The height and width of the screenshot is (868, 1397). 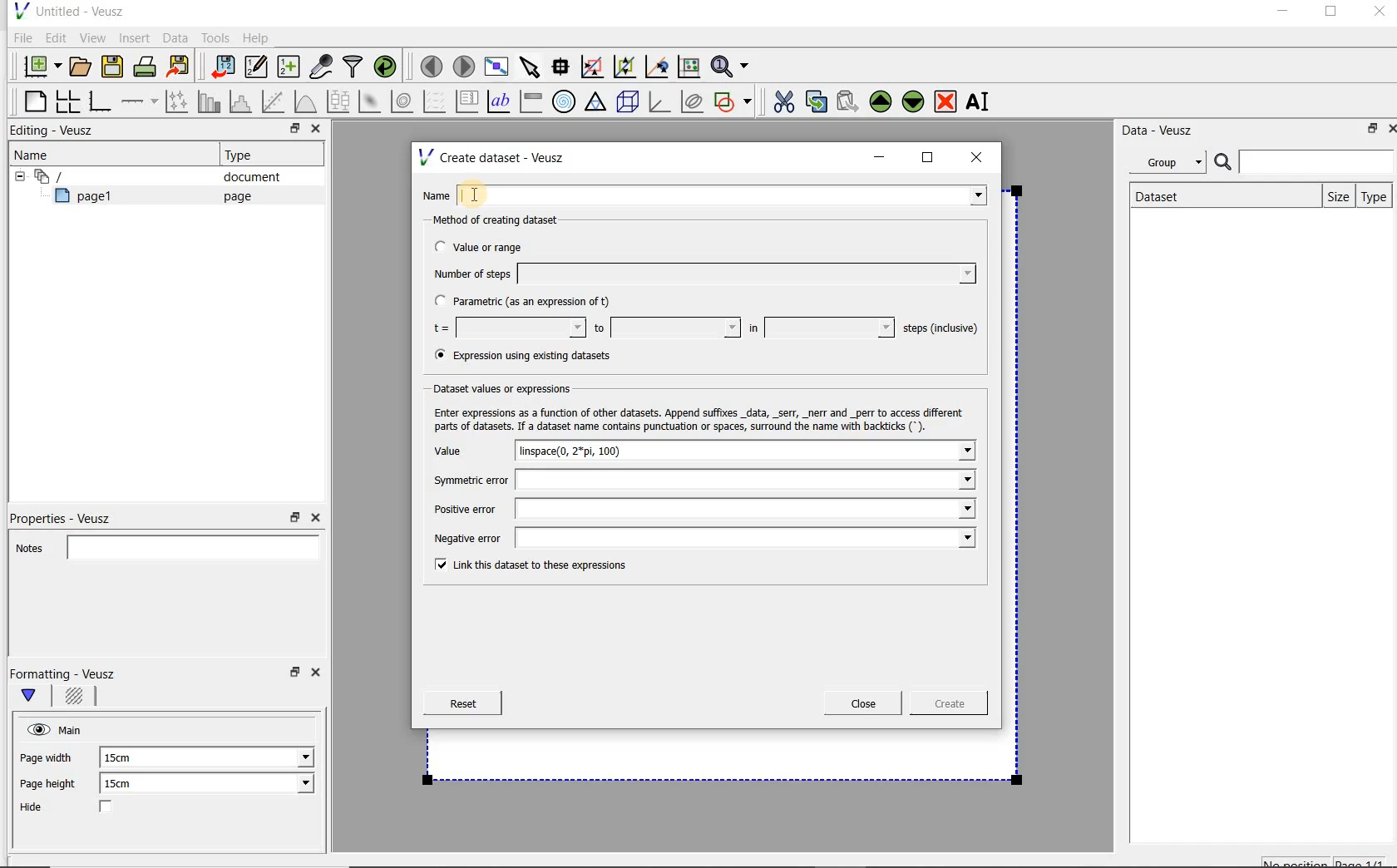 What do you see at coordinates (689, 66) in the screenshot?
I see `click to reset graph axes` at bounding box center [689, 66].